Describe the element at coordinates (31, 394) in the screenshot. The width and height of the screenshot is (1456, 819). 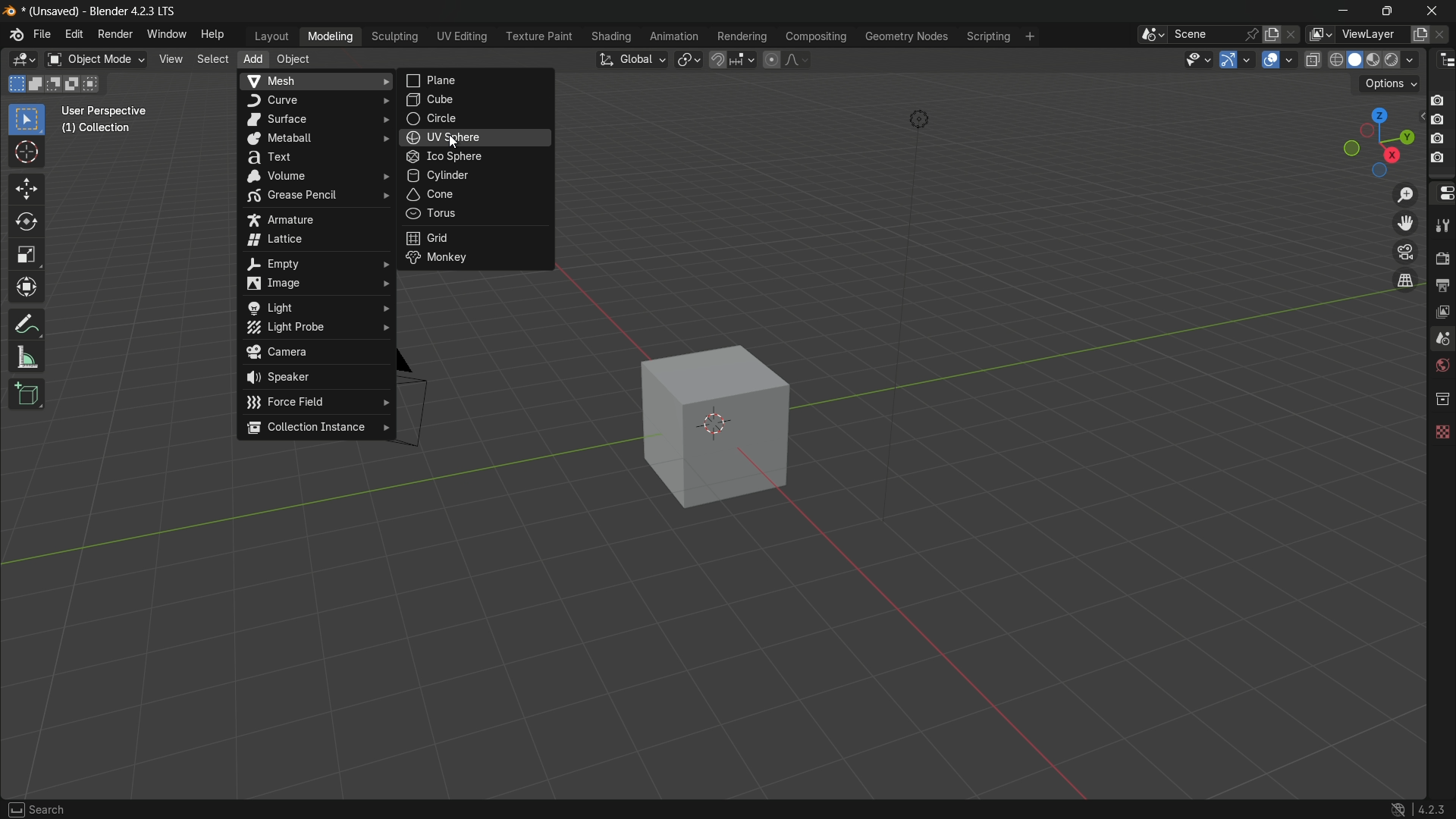
I see `add cube` at that location.